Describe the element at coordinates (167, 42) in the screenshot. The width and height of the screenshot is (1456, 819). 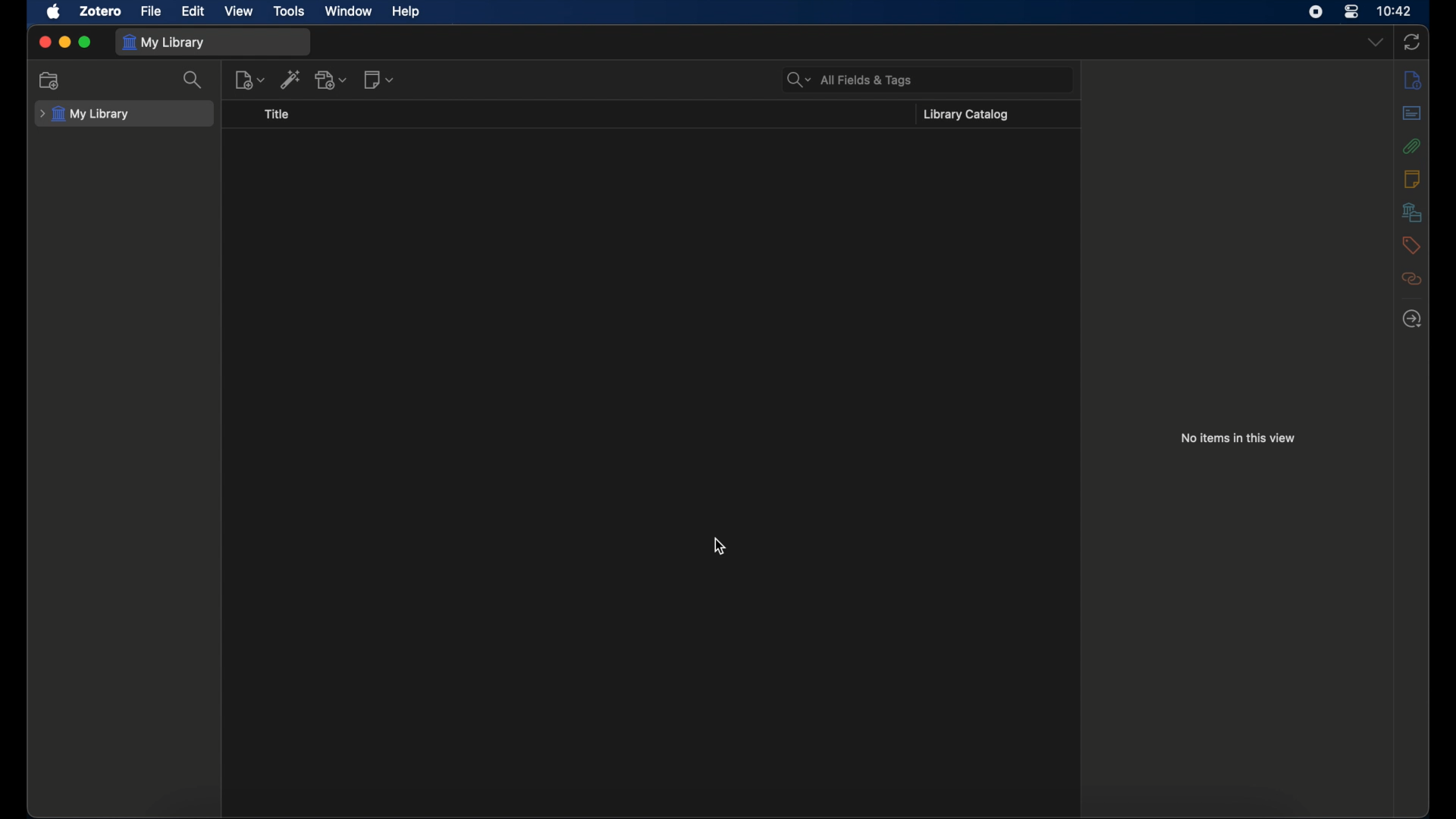
I see `my library` at that location.